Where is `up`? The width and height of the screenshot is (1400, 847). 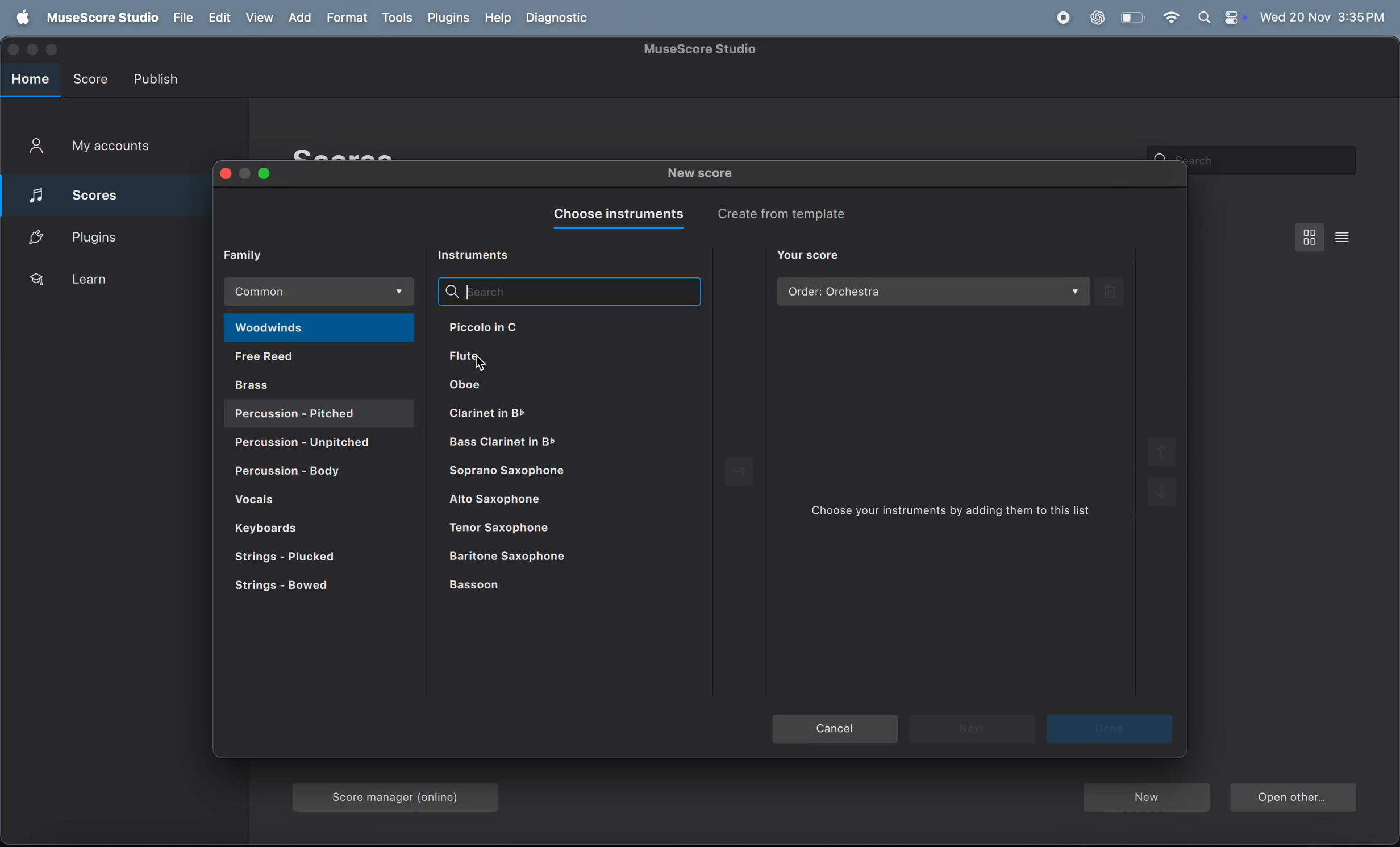
up is located at coordinates (1160, 452).